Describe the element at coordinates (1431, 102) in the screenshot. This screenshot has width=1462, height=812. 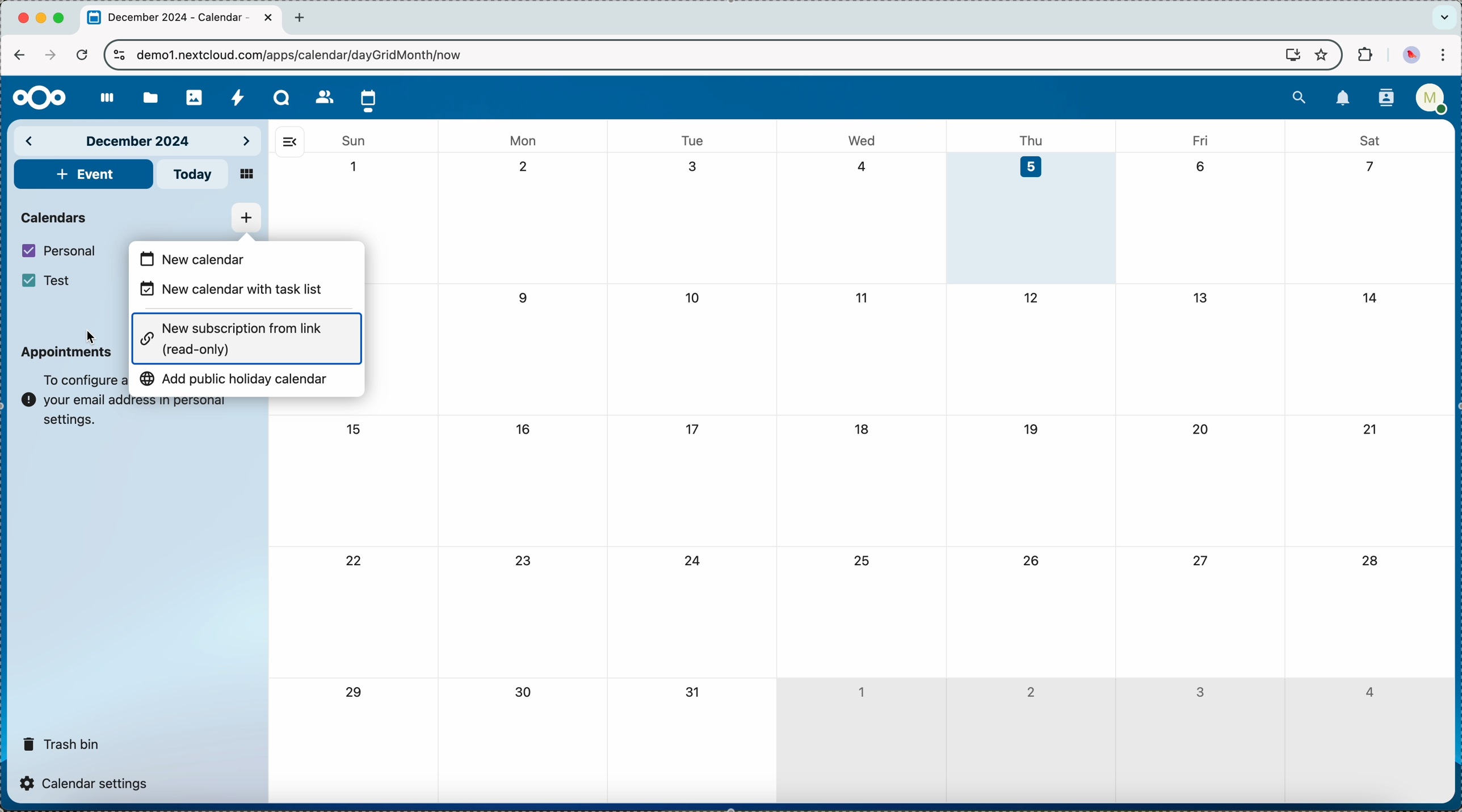
I see `user profile` at that location.